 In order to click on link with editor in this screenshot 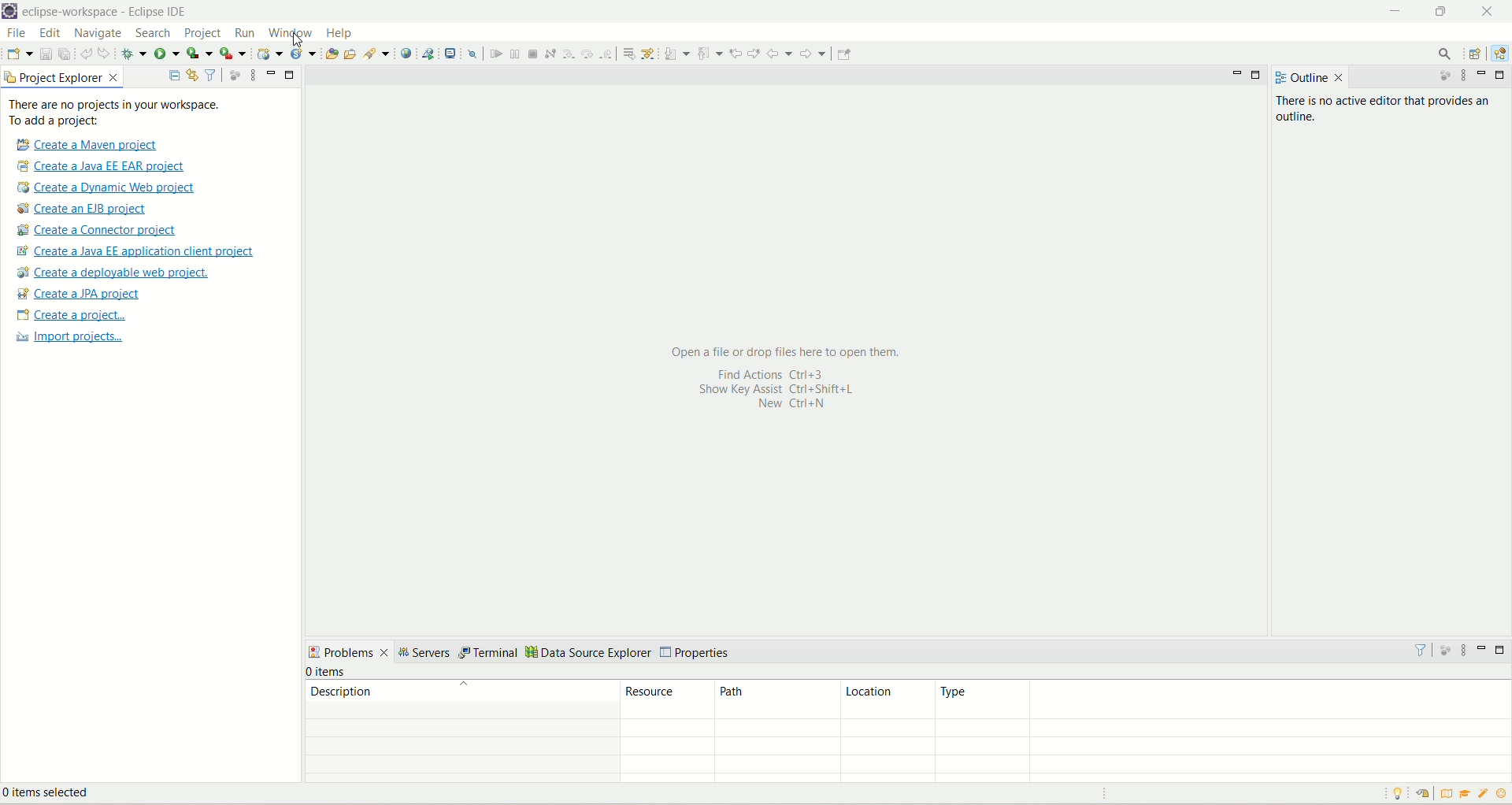, I will do `click(193, 75)`.